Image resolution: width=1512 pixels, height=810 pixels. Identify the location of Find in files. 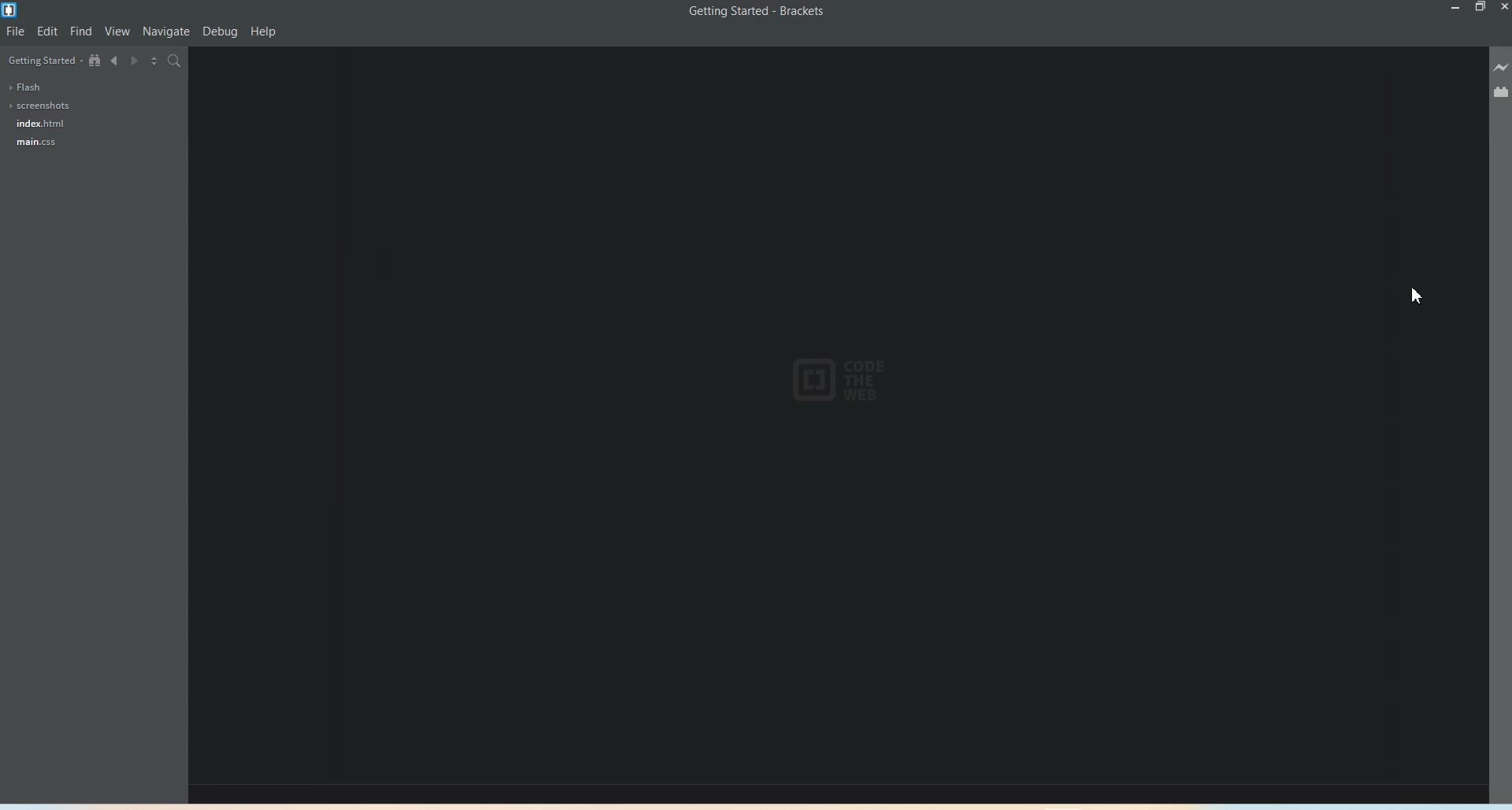
(175, 61).